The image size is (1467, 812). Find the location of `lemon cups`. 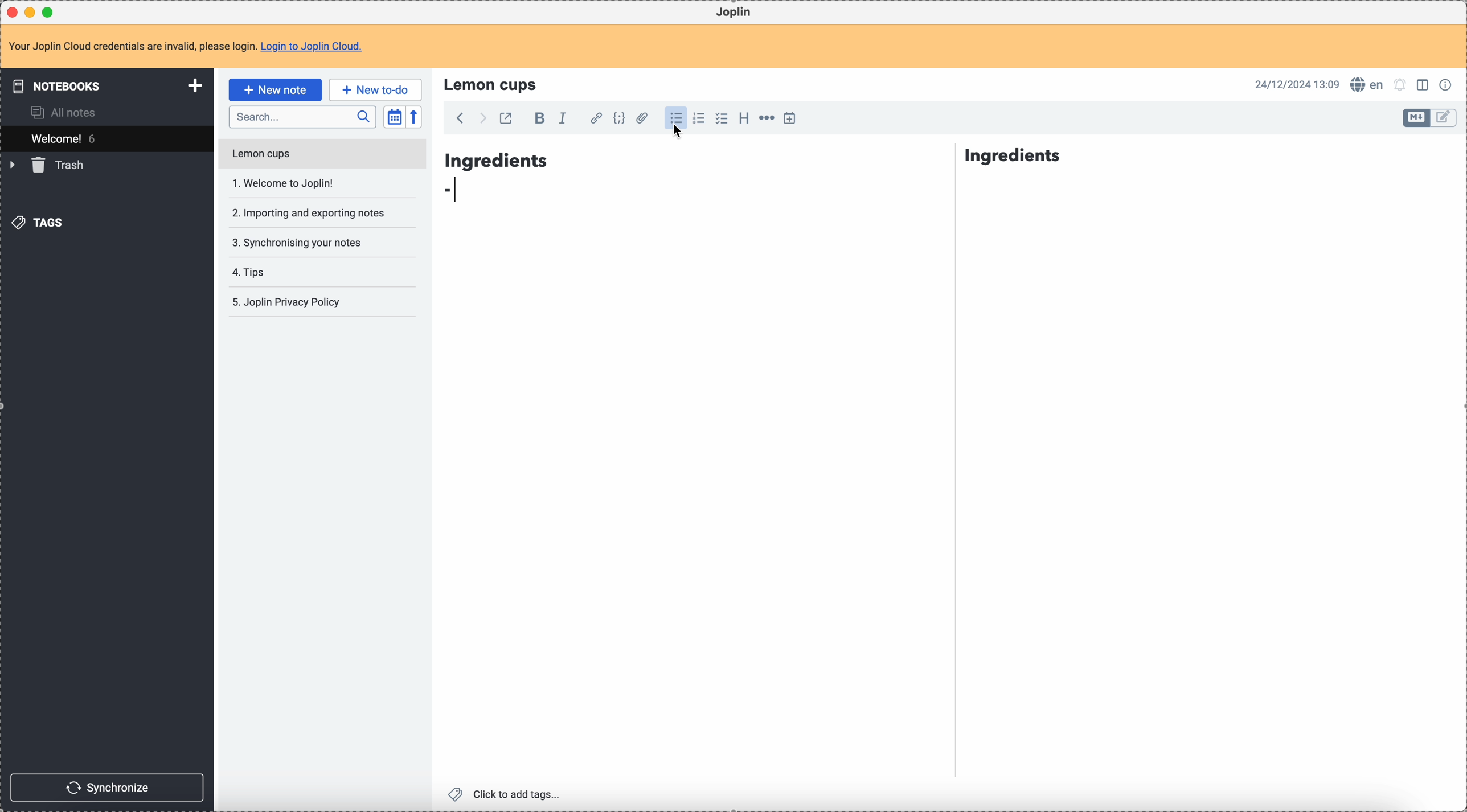

lemon cups is located at coordinates (493, 84).